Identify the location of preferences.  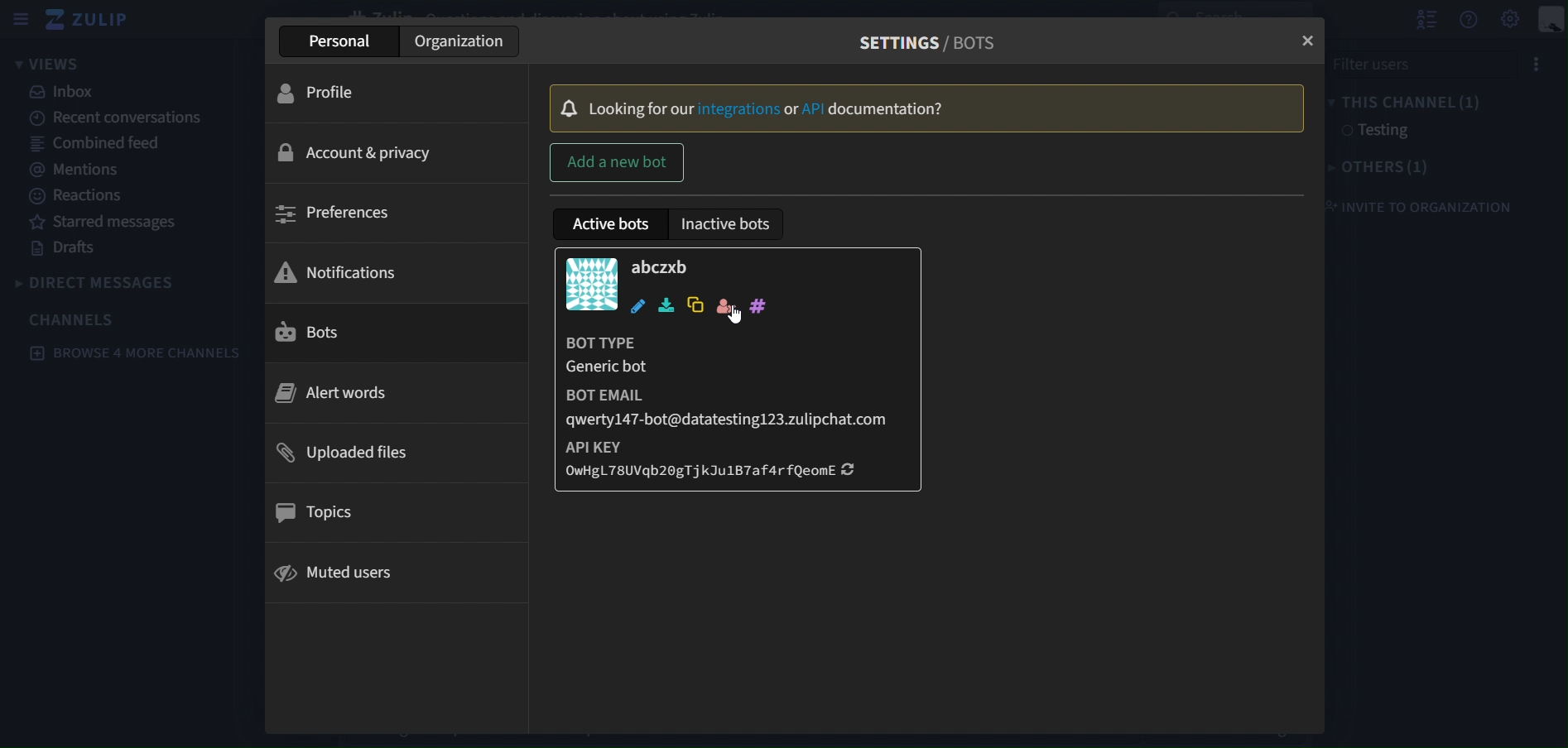
(341, 216).